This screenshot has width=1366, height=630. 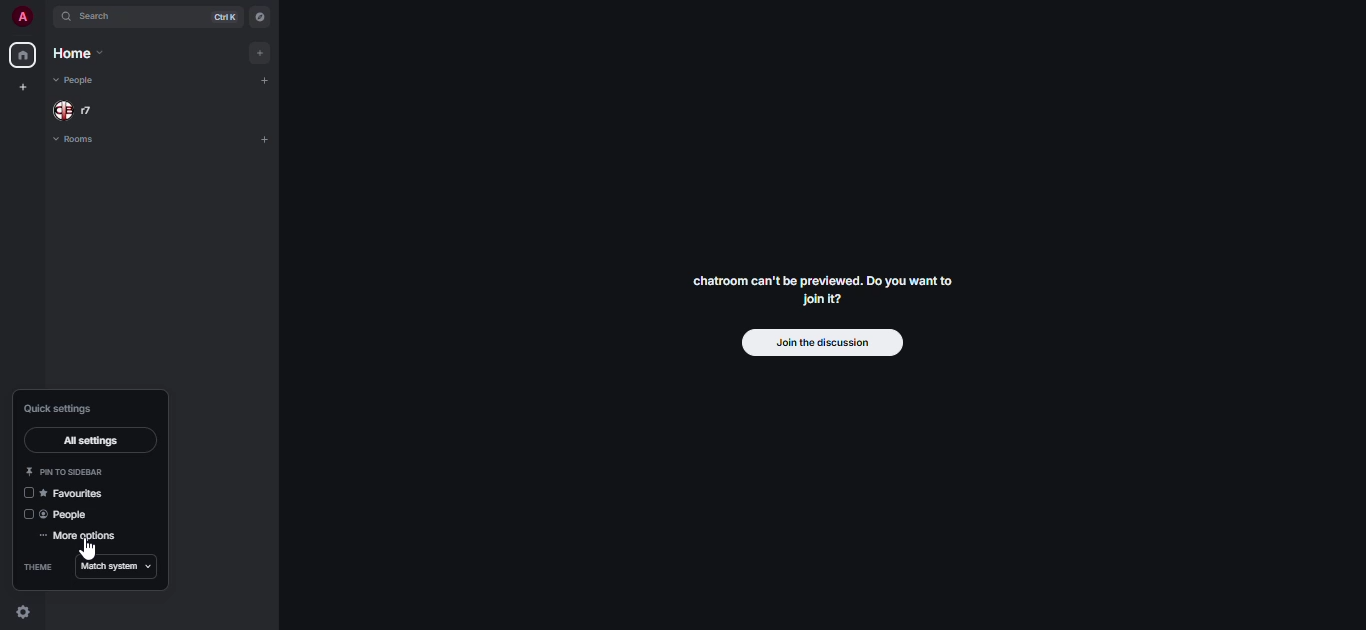 What do you see at coordinates (24, 613) in the screenshot?
I see `quick settings` at bounding box center [24, 613].